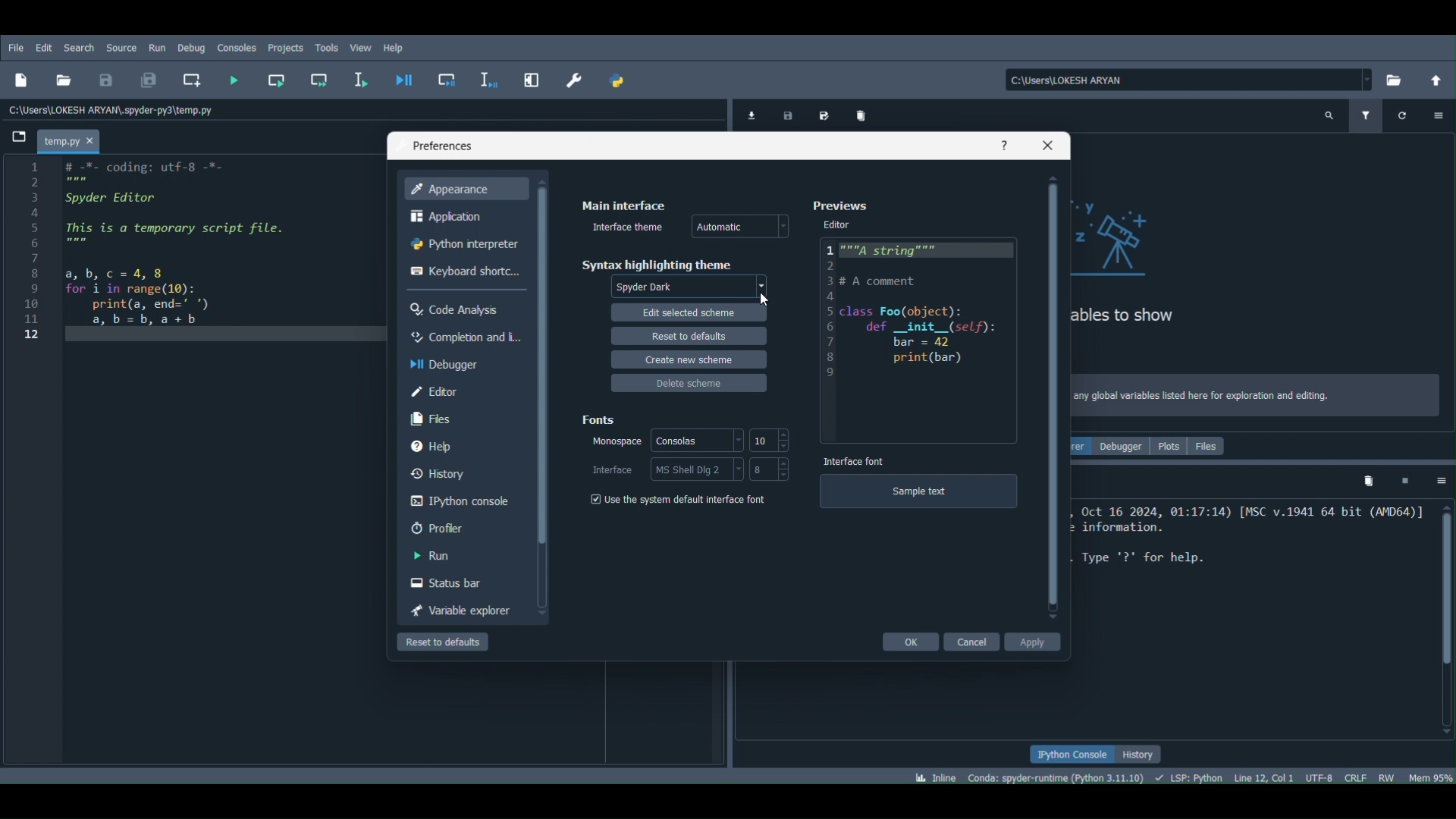 Image resolution: width=1456 pixels, height=819 pixels. I want to click on Fonts, so click(596, 423).